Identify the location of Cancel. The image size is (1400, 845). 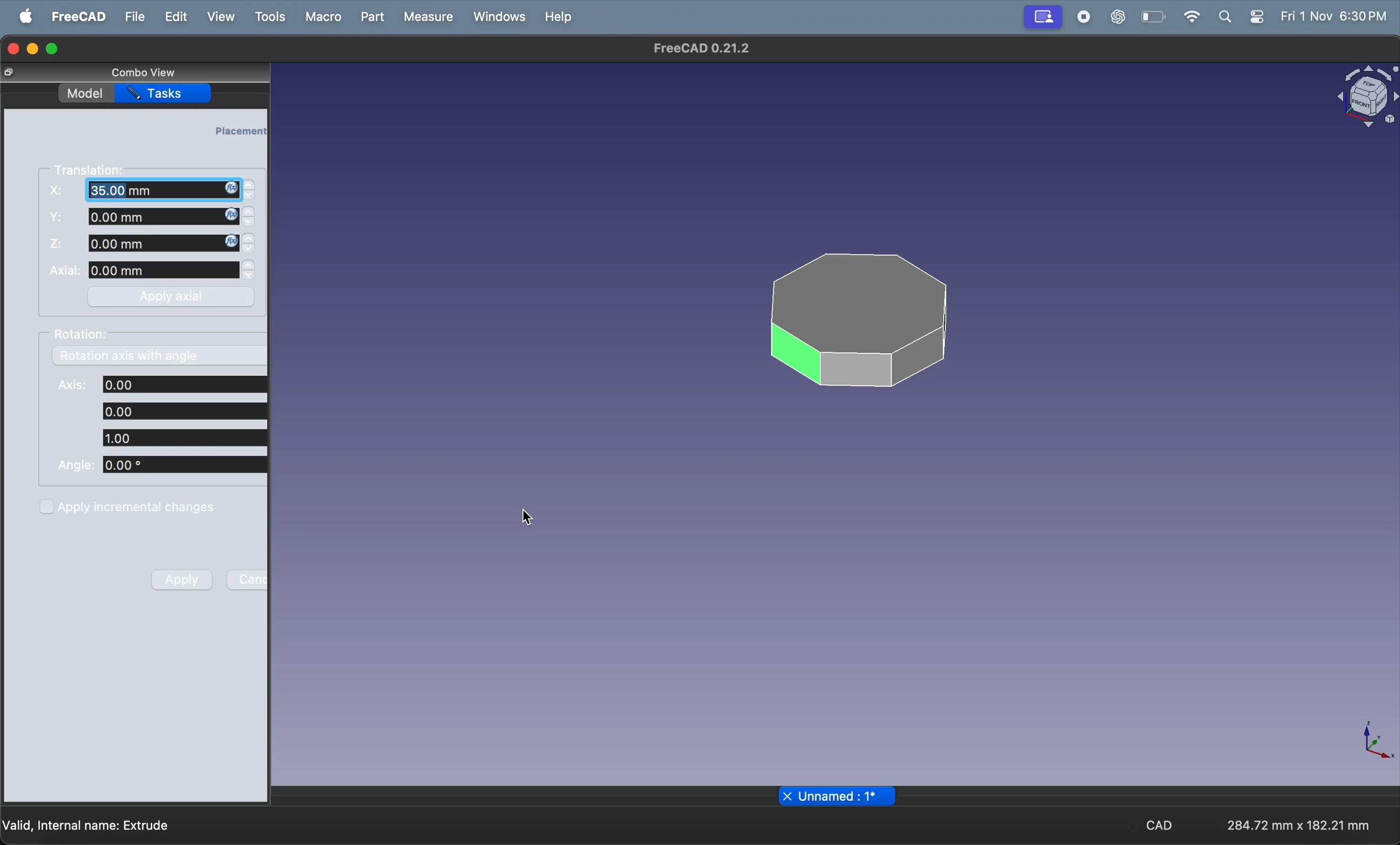
(248, 579).